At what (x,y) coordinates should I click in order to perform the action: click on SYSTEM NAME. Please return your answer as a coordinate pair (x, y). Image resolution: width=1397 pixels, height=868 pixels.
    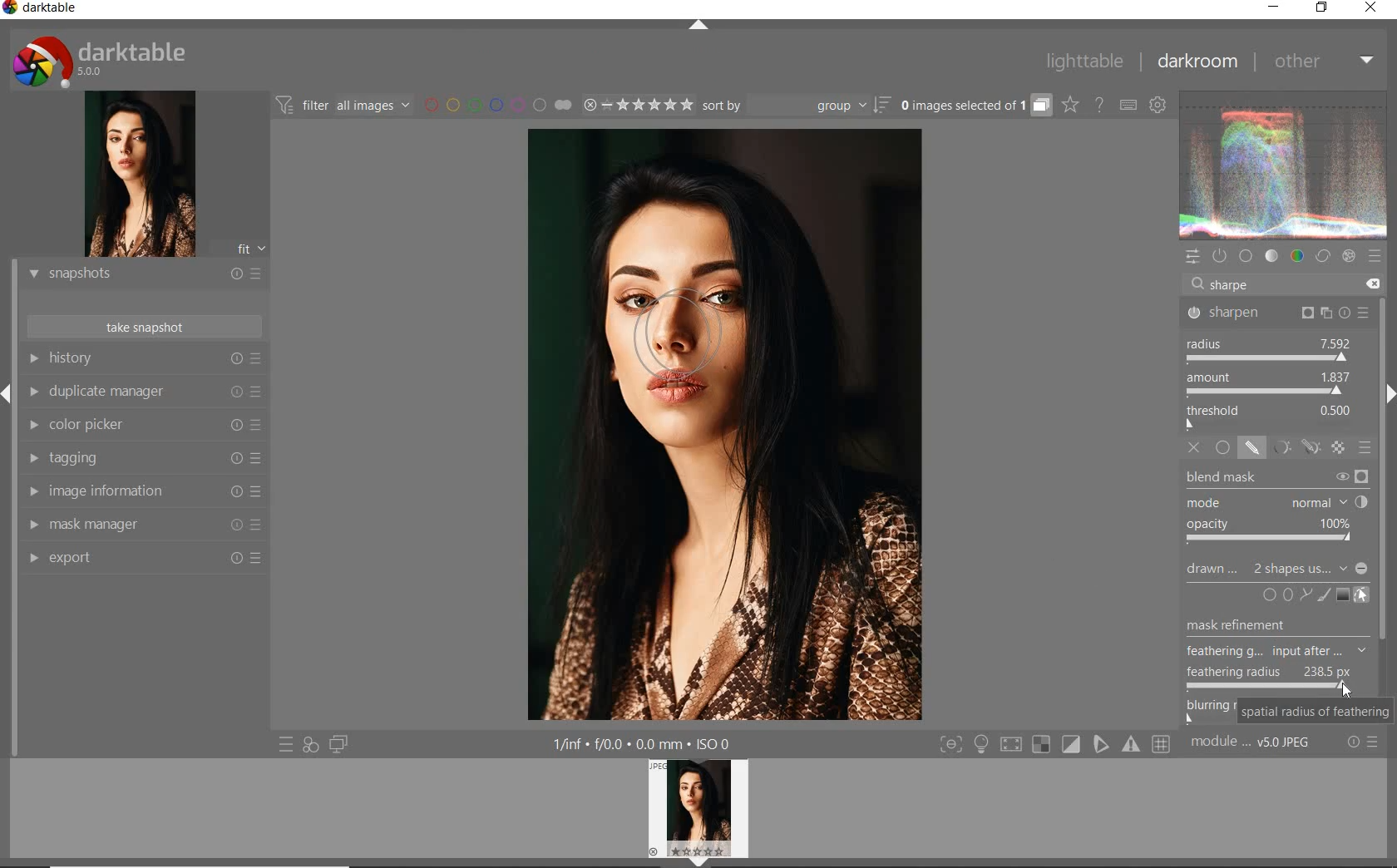
    Looking at the image, I should click on (46, 10).